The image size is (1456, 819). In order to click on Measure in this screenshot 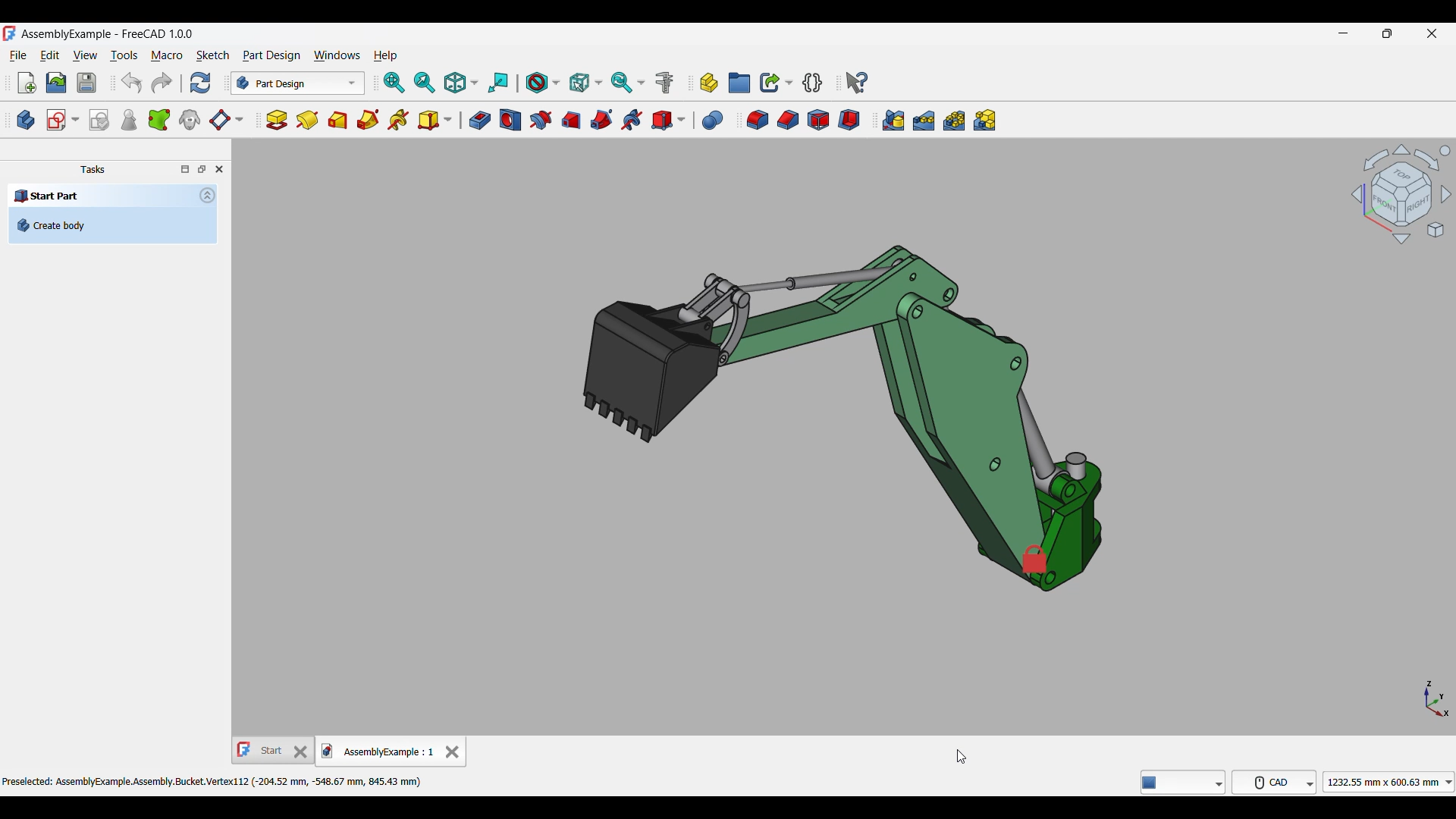, I will do `click(664, 83)`.